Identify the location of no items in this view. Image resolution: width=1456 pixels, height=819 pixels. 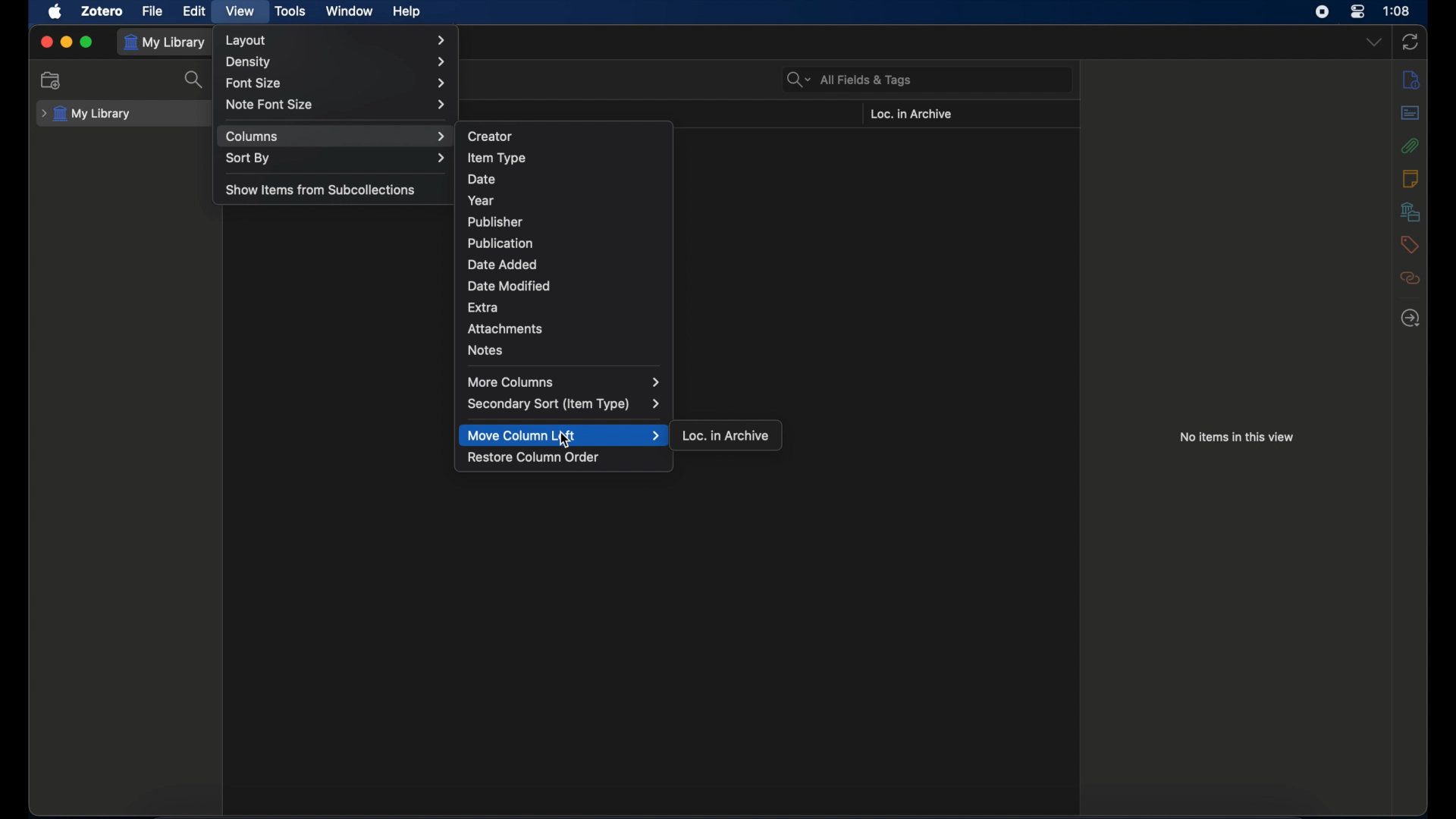
(1236, 438).